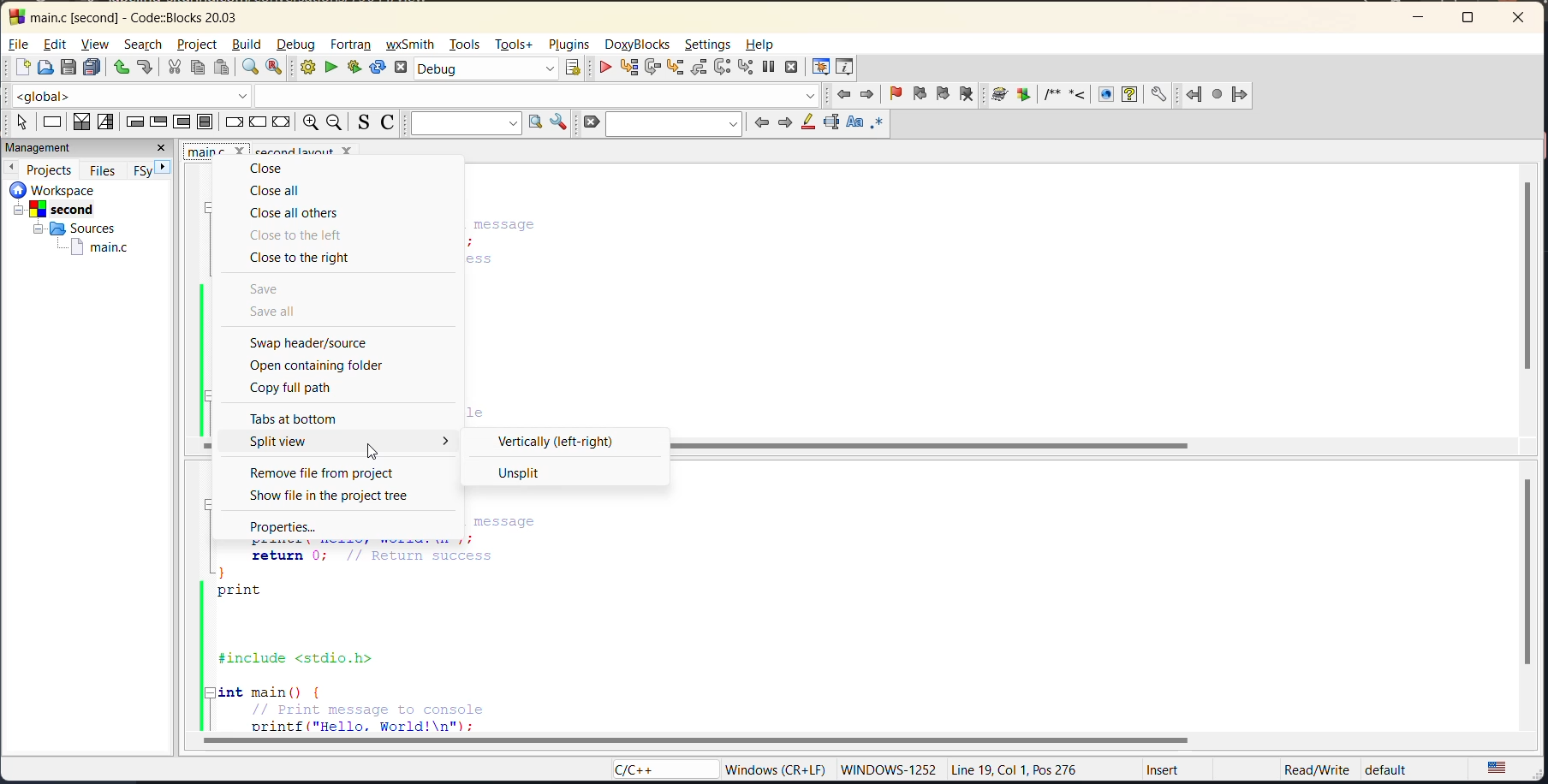  What do you see at coordinates (106, 169) in the screenshot?
I see `files` at bounding box center [106, 169].